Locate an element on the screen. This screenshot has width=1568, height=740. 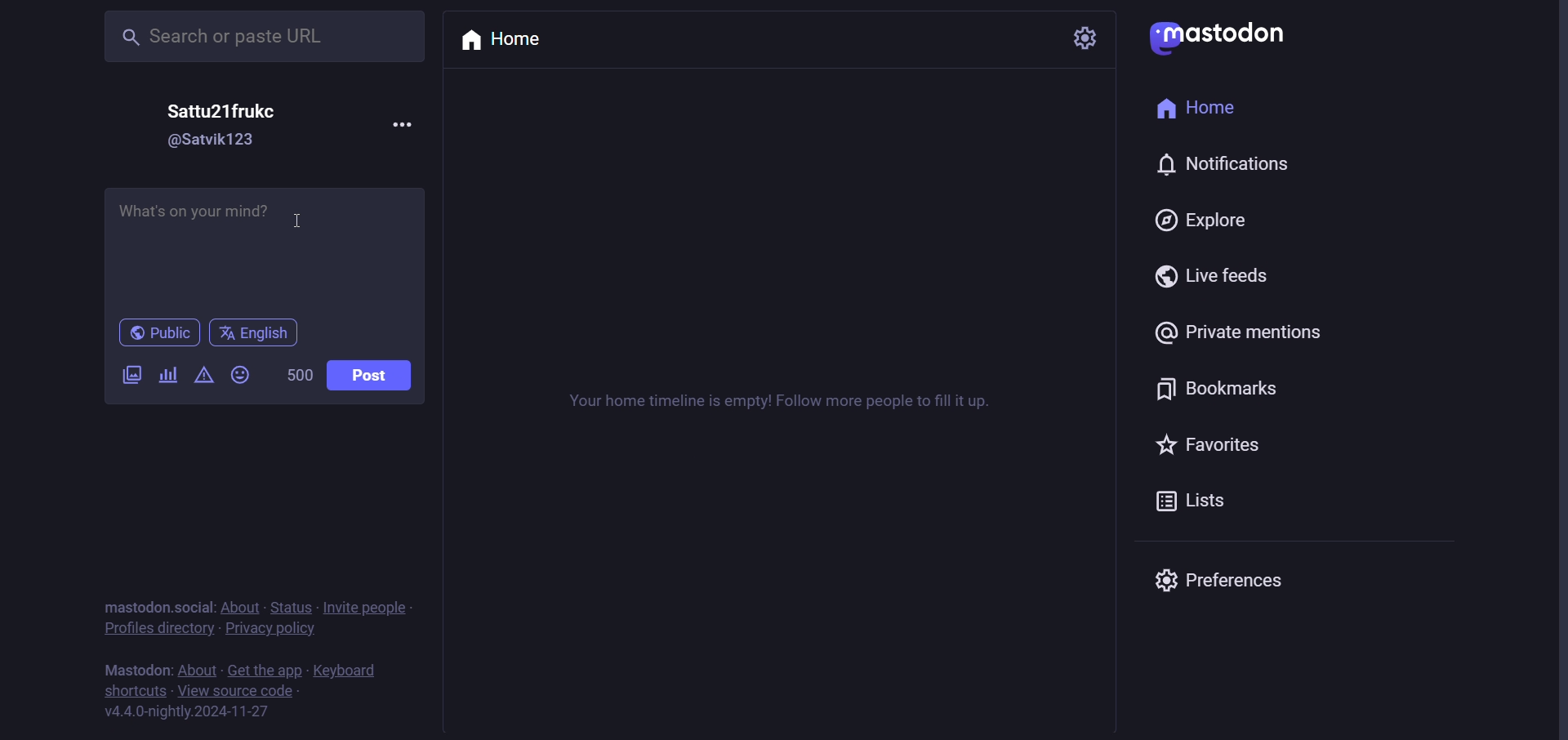
preferences is located at coordinates (1218, 579).